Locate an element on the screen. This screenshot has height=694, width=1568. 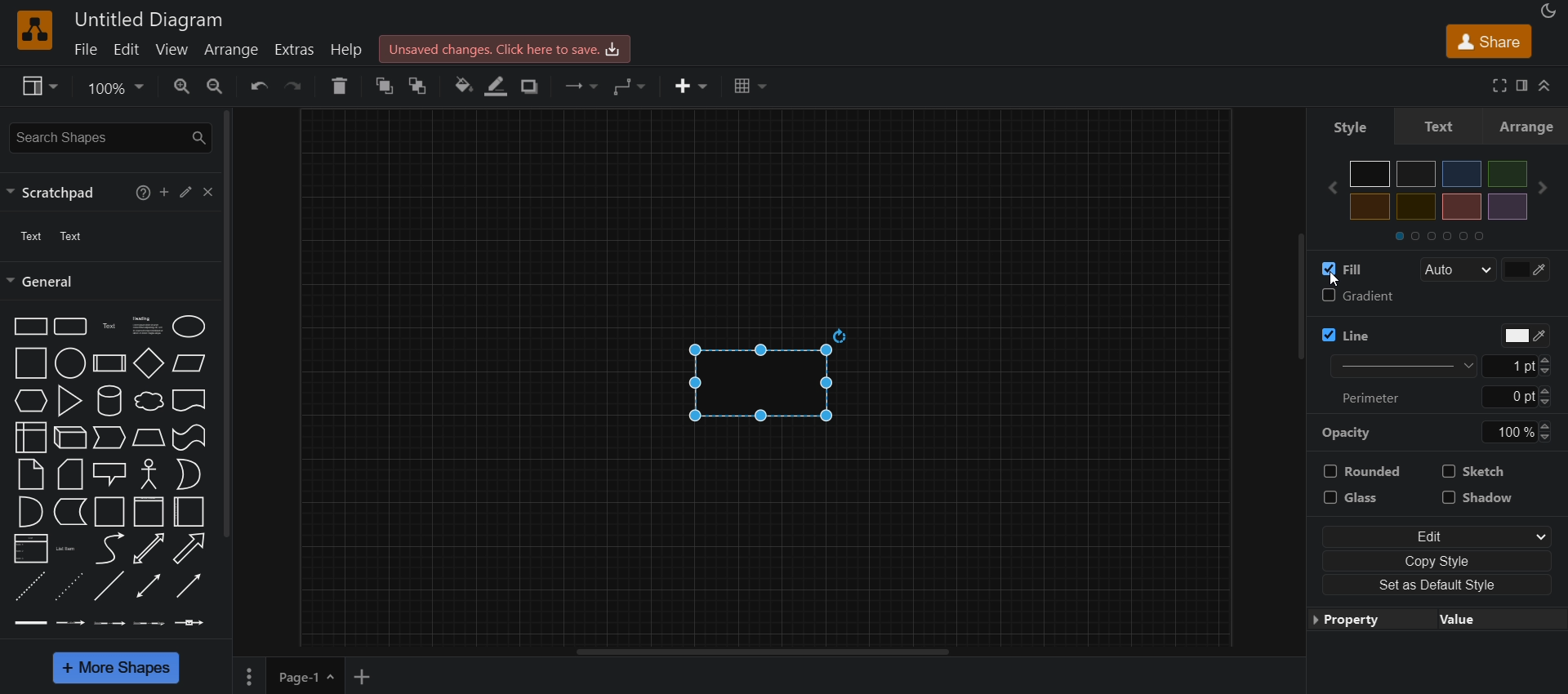
options is located at coordinates (248, 677).